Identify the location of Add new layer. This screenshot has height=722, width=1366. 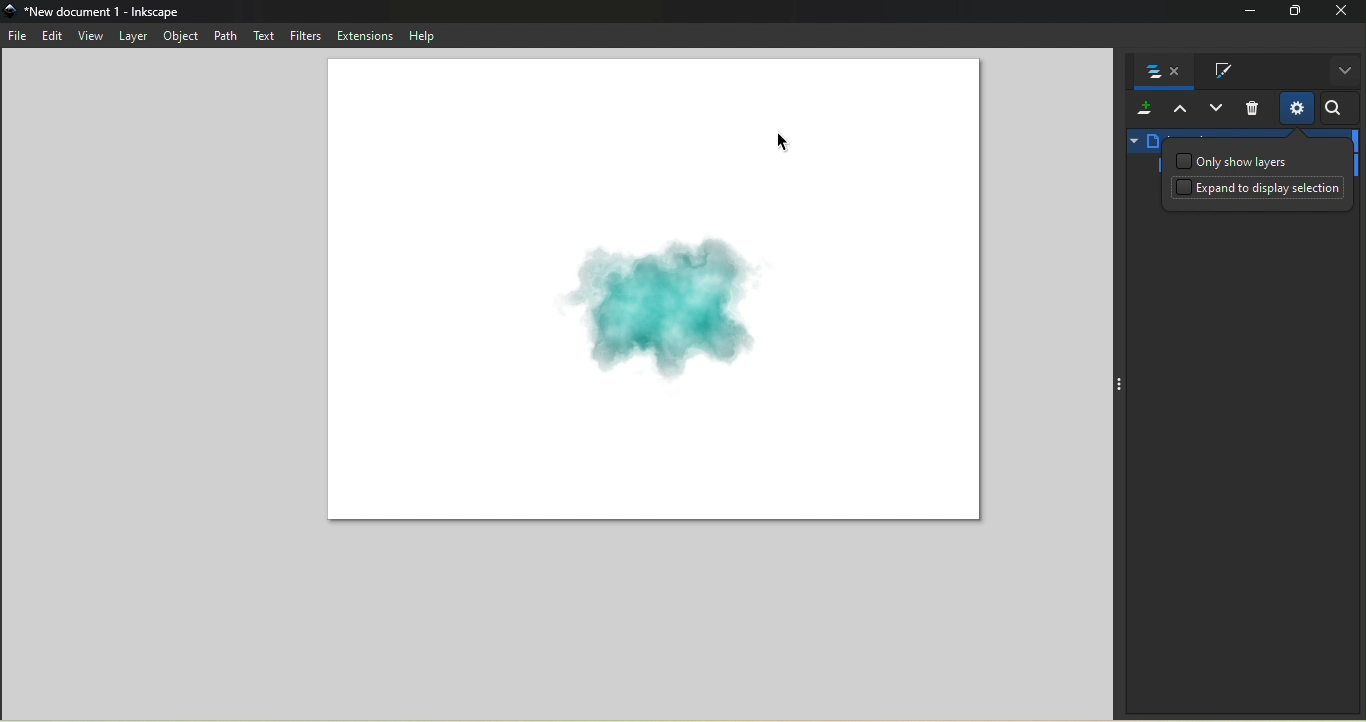
(1141, 110).